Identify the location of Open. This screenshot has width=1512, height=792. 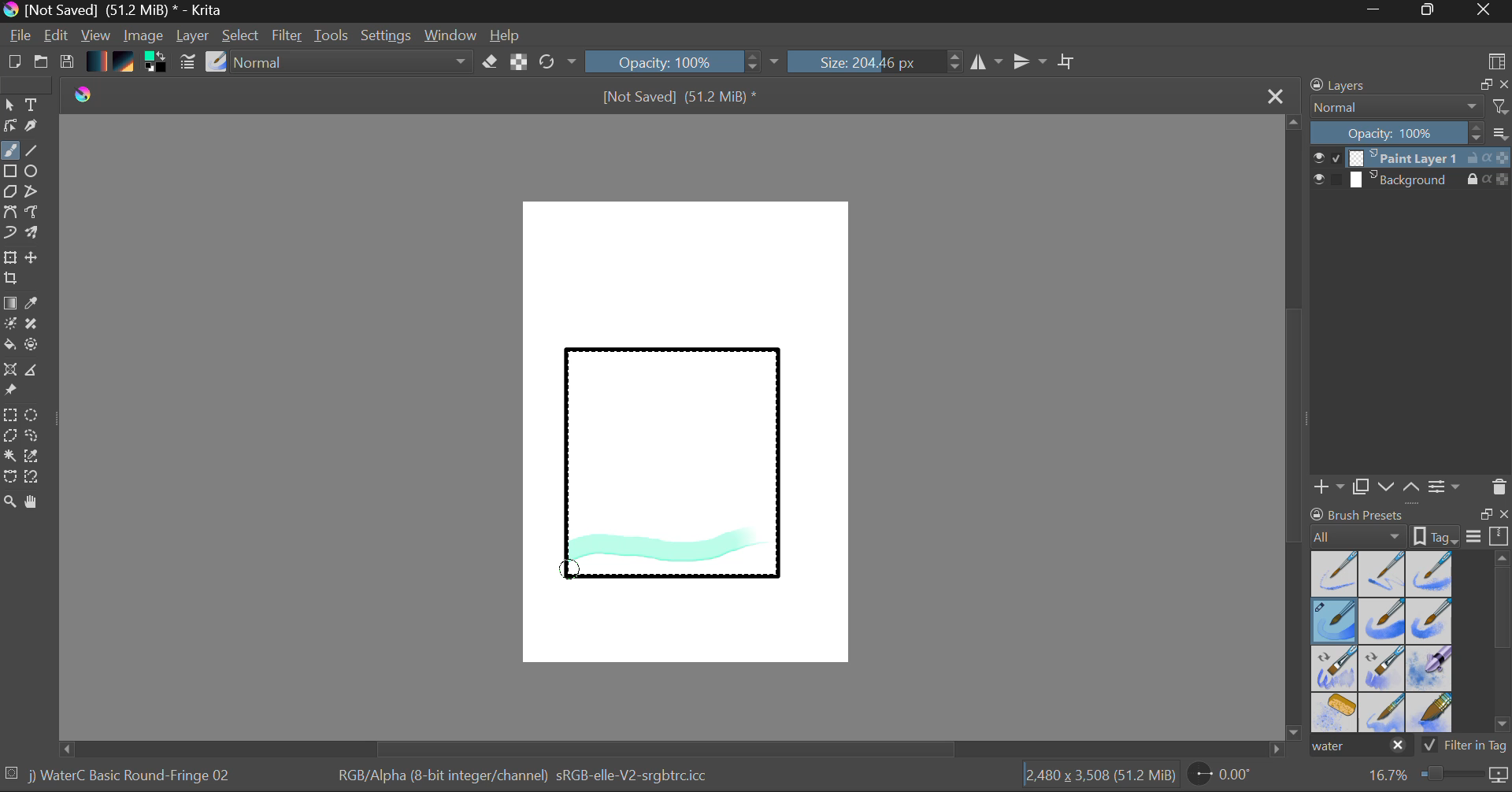
(43, 64).